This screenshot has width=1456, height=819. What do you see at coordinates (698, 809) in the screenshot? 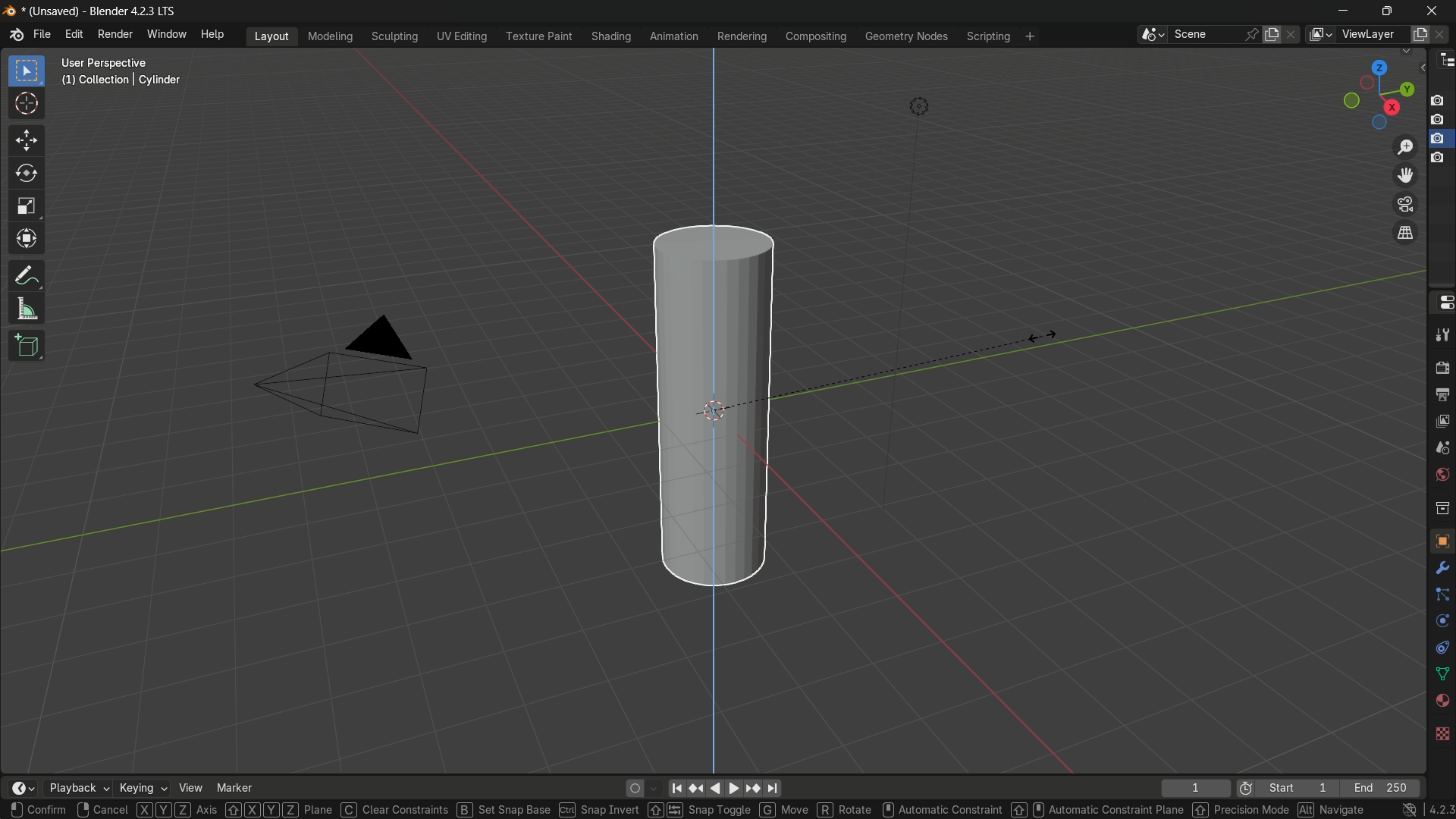
I see `shift and right left keyboard navigation keys for snap toggle` at bounding box center [698, 809].